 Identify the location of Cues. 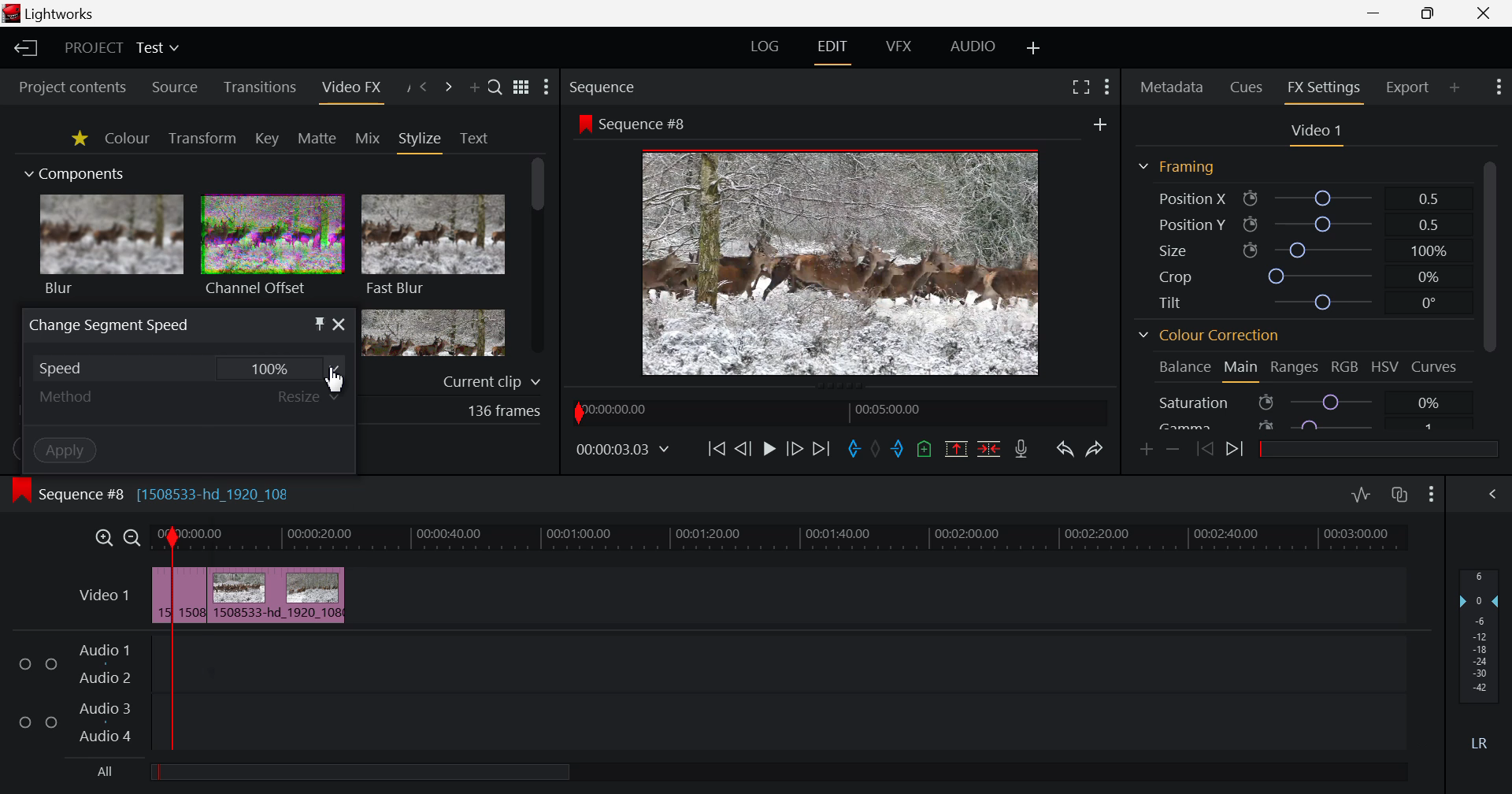
(1247, 88).